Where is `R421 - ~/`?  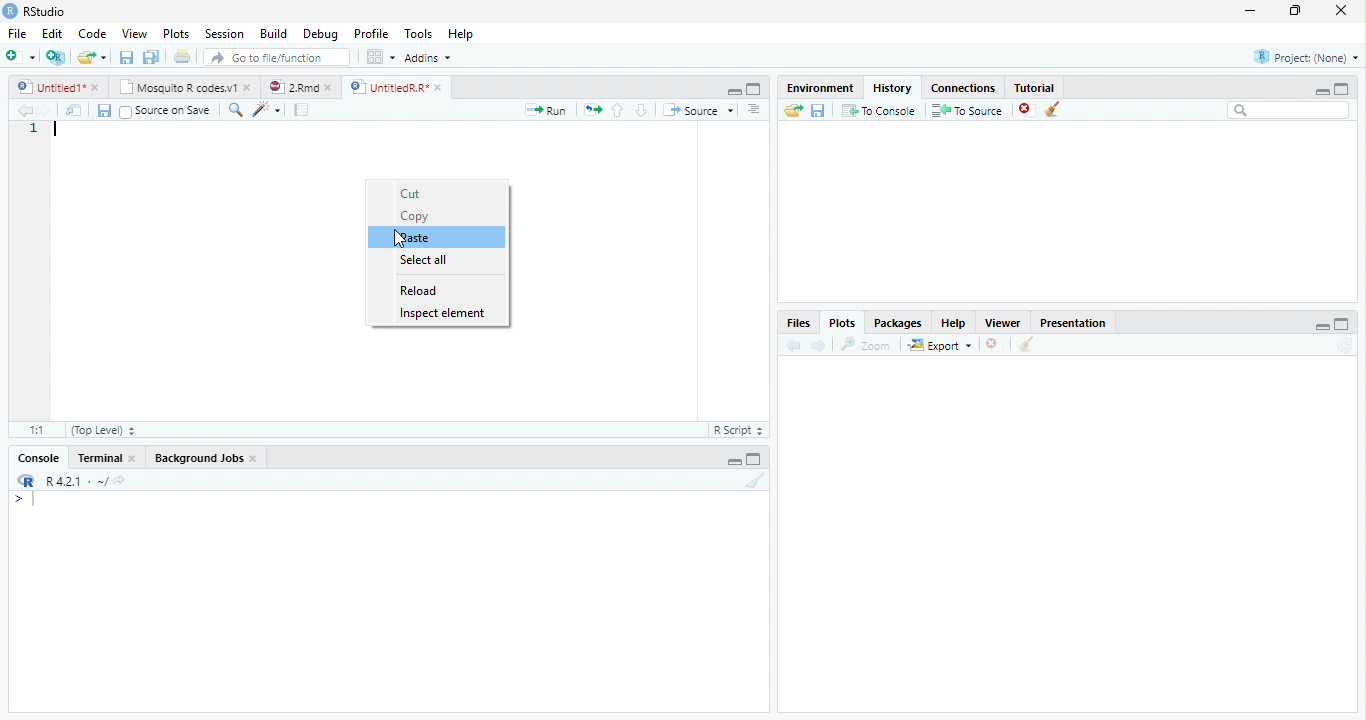
R421 - ~/ is located at coordinates (70, 481).